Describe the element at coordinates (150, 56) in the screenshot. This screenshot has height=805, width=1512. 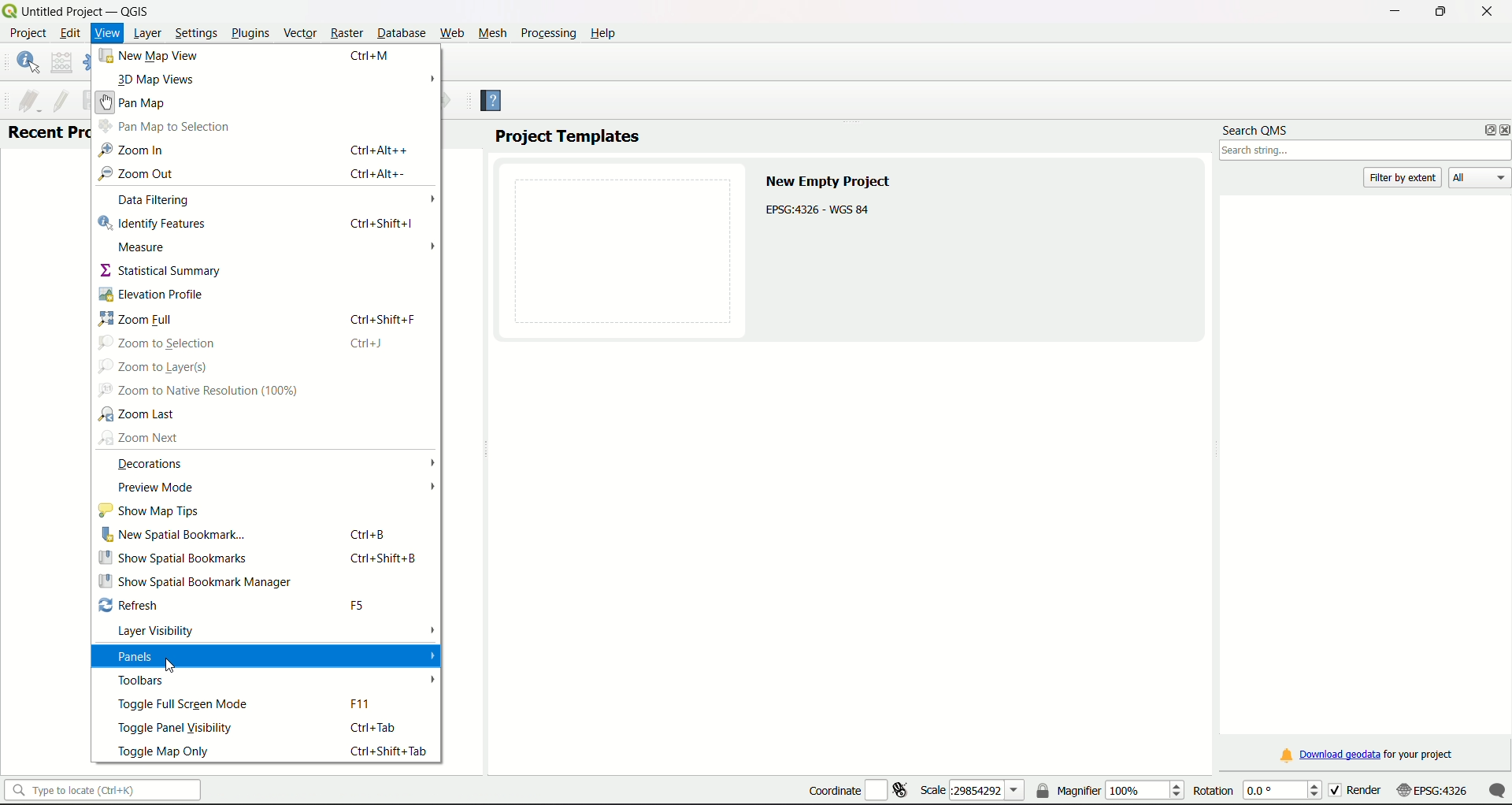
I see `New Map View` at that location.